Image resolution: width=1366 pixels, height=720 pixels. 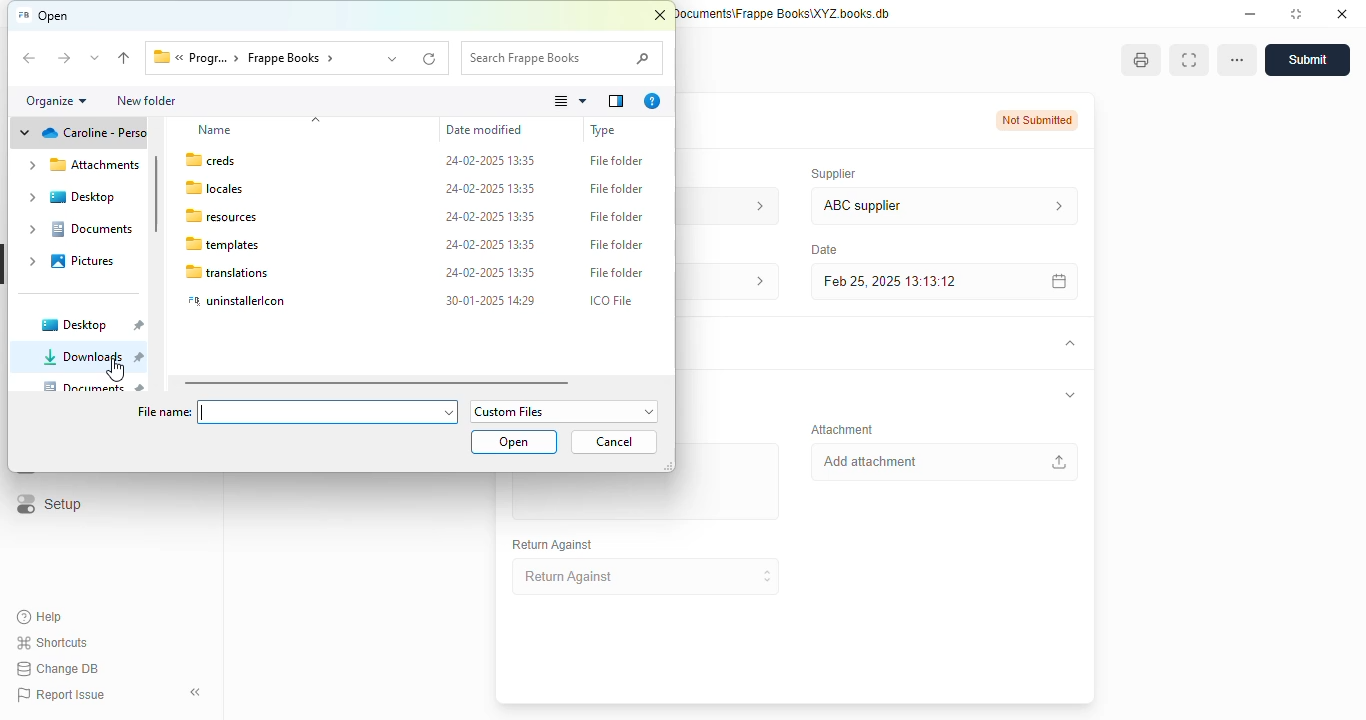 What do you see at coordinates (22, 15) in the screenshot?
I see `FB logo` at bounding box center [22, 15].